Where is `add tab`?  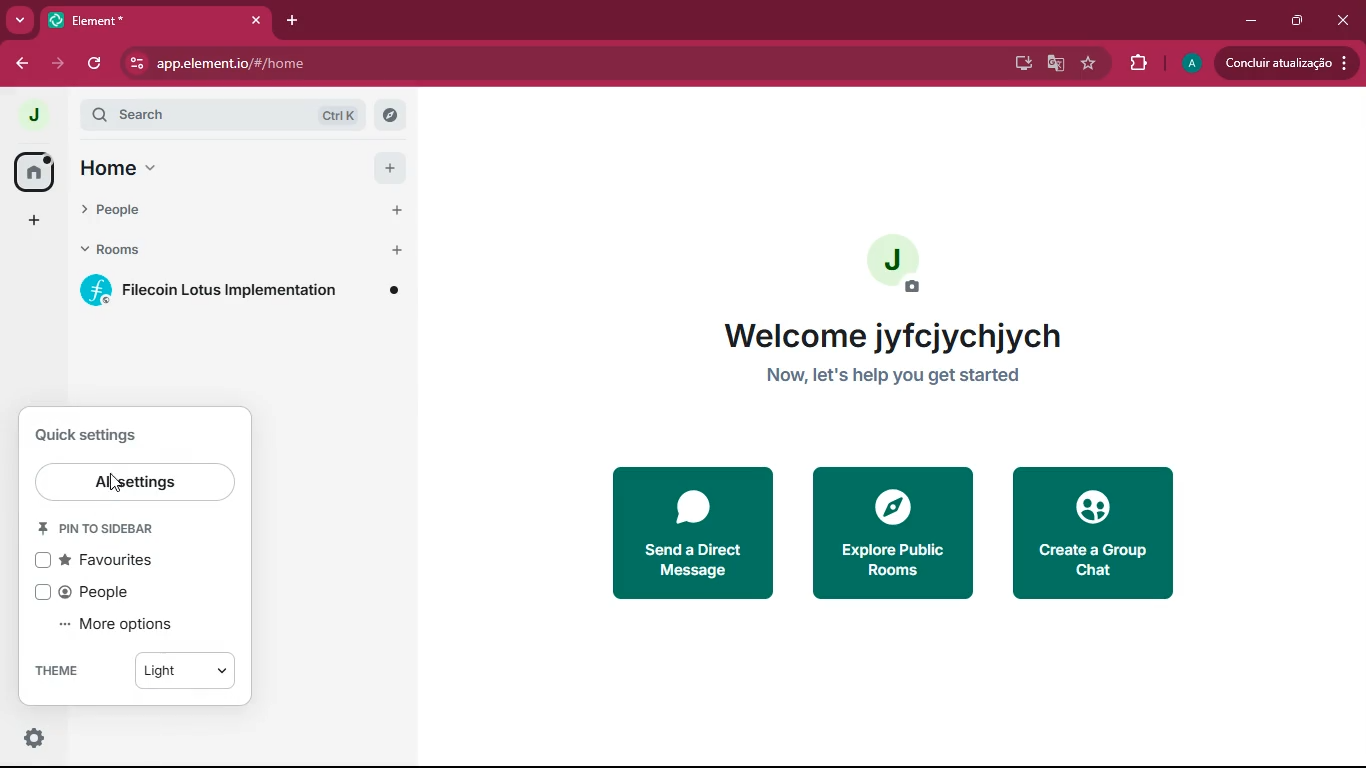 add tab is located at coordinates (287, 21).